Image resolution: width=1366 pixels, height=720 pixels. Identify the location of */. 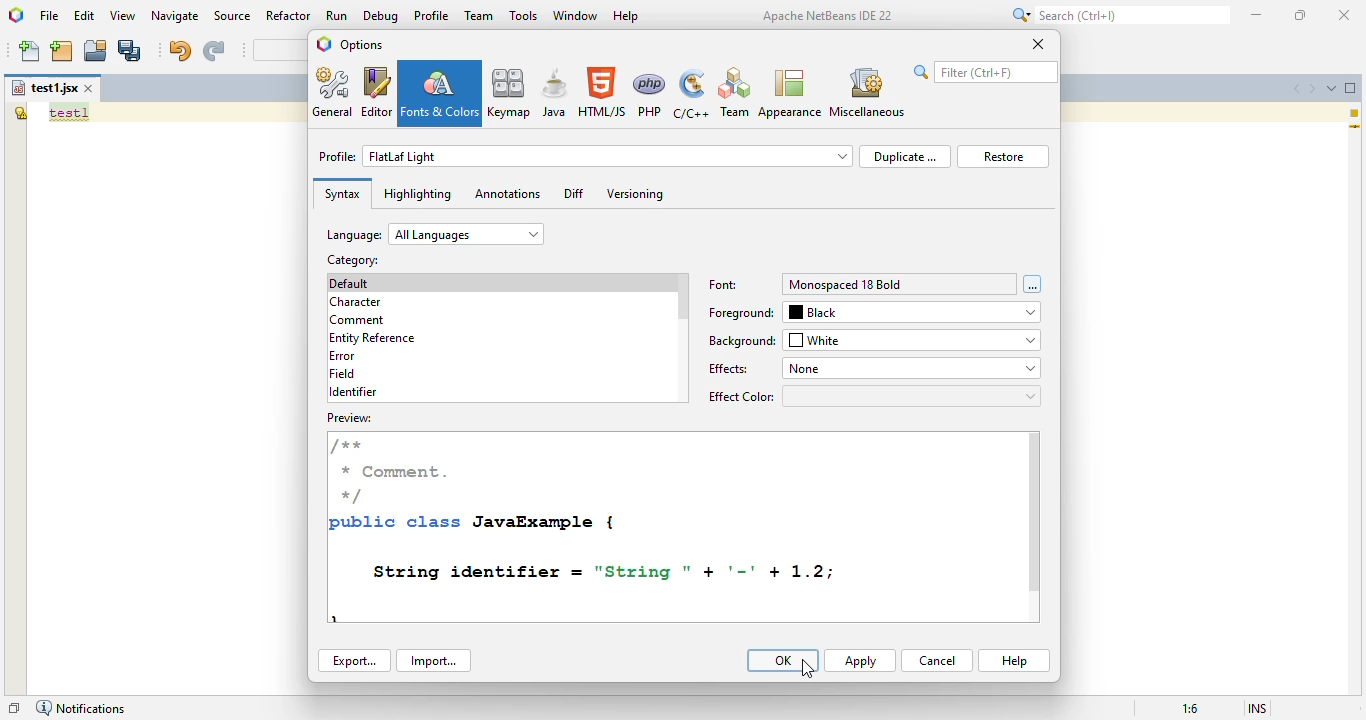
(367, 496).